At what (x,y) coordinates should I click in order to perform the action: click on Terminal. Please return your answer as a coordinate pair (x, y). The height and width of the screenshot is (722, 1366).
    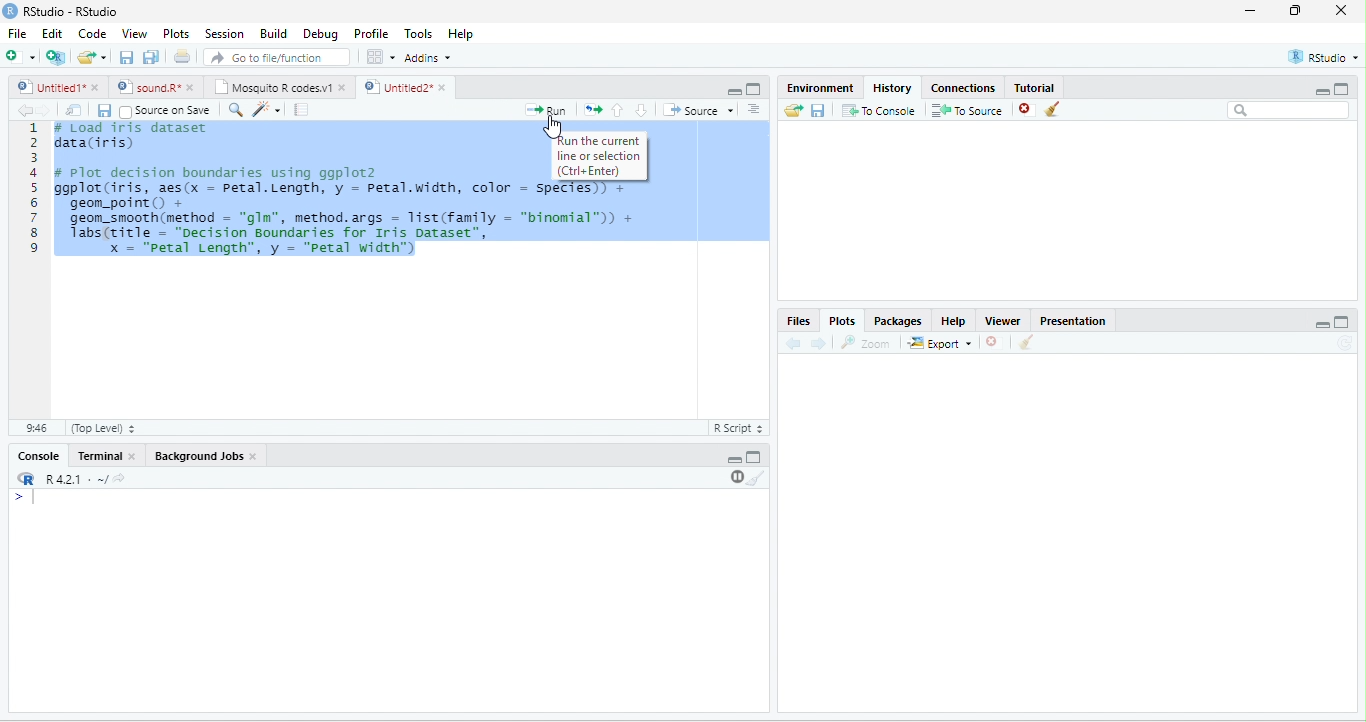
    Looking at the image, I should click on (97, 455).